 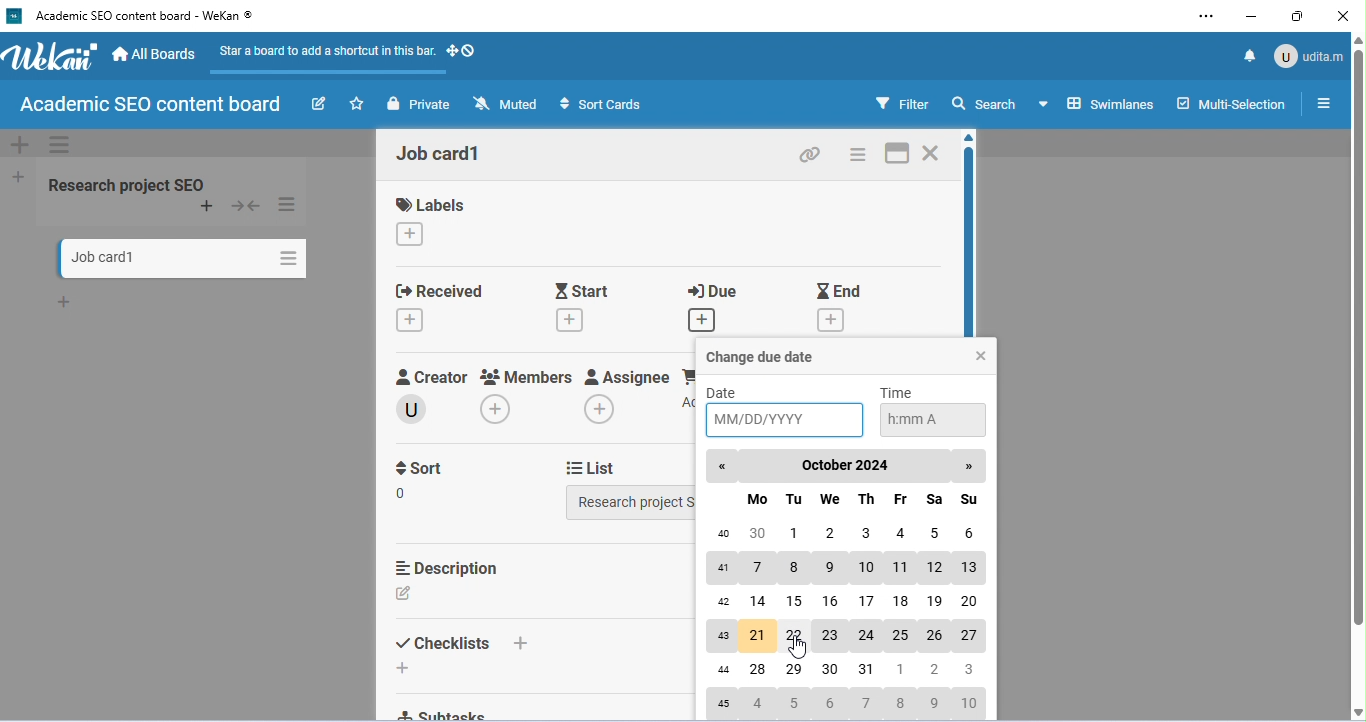 I want to click on end, so click(x=841, y=290).